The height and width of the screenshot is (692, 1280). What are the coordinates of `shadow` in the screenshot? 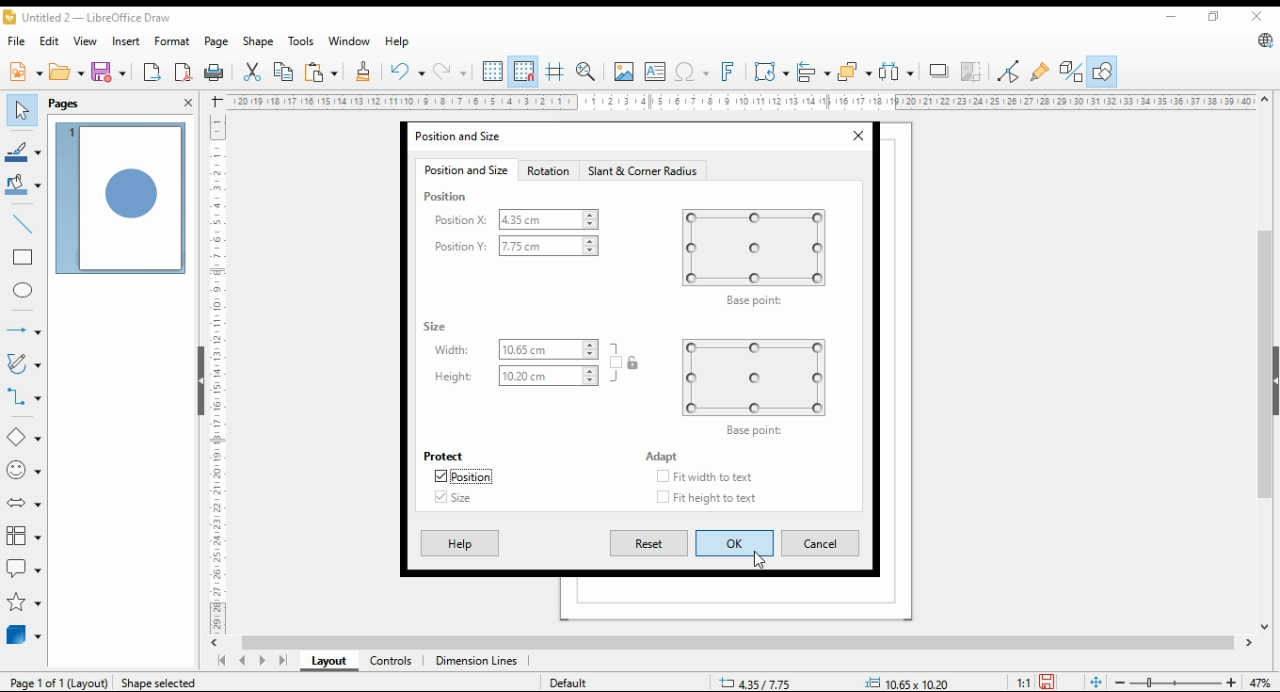 It's located at (936, 71).